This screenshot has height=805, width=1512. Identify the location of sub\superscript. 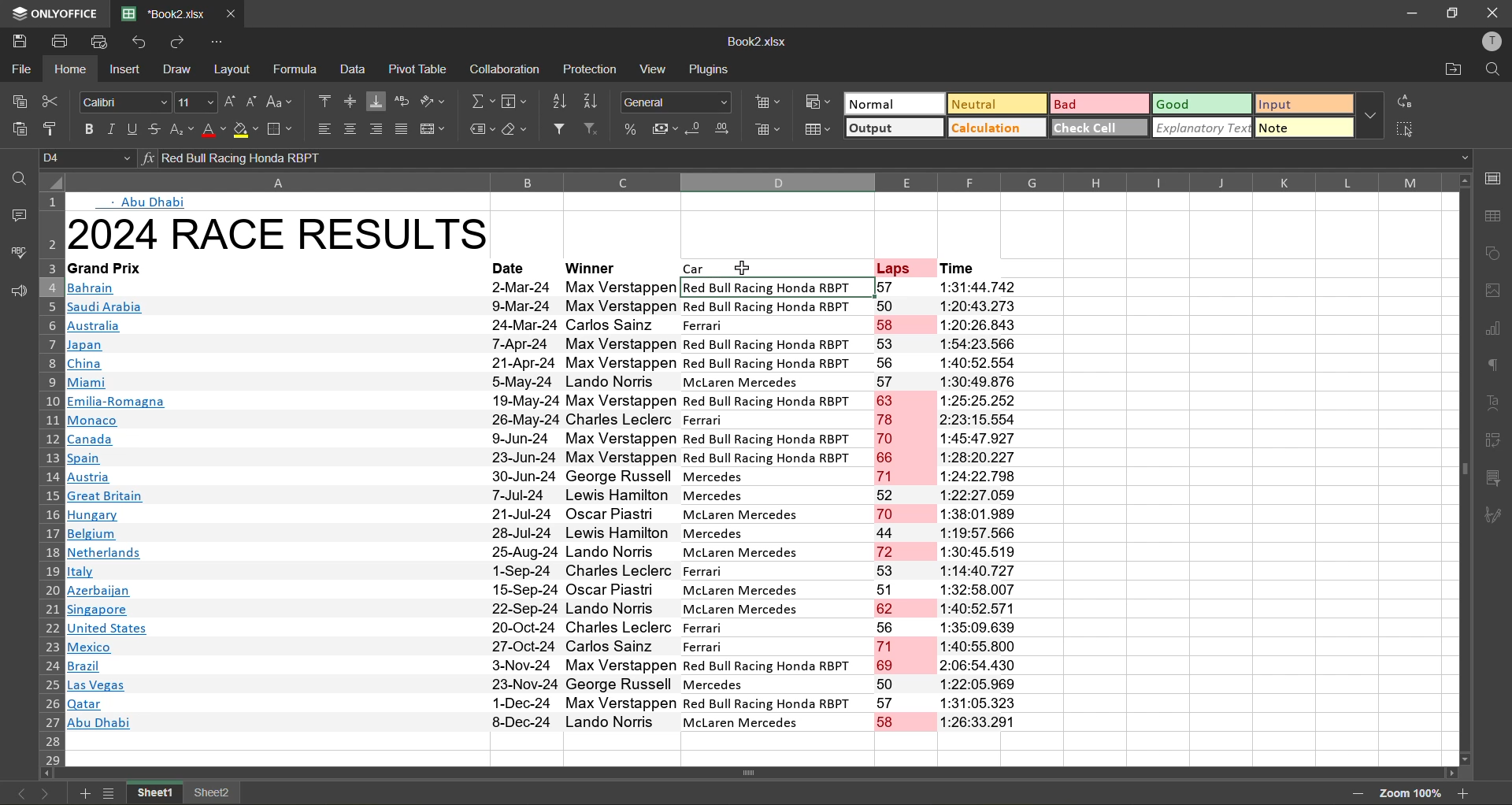
(183, 129).